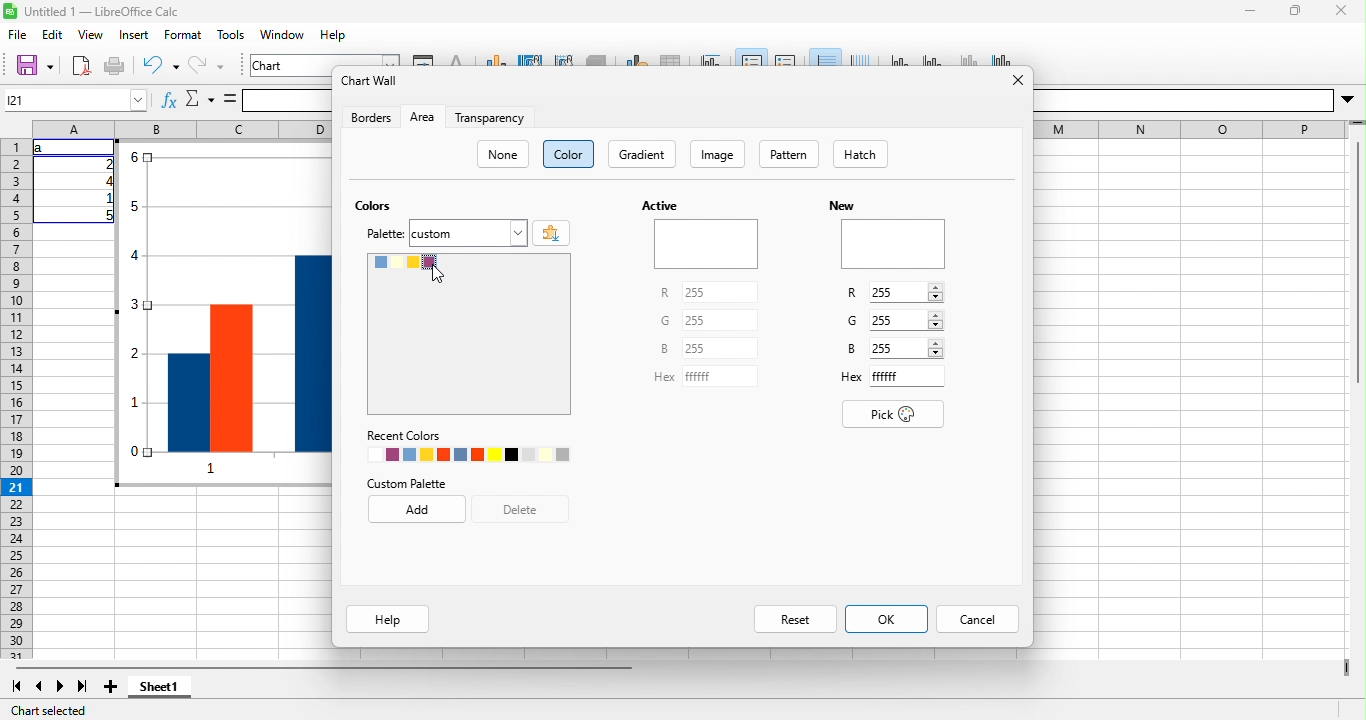 The width and height of the screenshot is (1366, 720). What do you see at coordinates (852, 377) in the screenshot?
I see `Hex` at bounding box center [852, 377].